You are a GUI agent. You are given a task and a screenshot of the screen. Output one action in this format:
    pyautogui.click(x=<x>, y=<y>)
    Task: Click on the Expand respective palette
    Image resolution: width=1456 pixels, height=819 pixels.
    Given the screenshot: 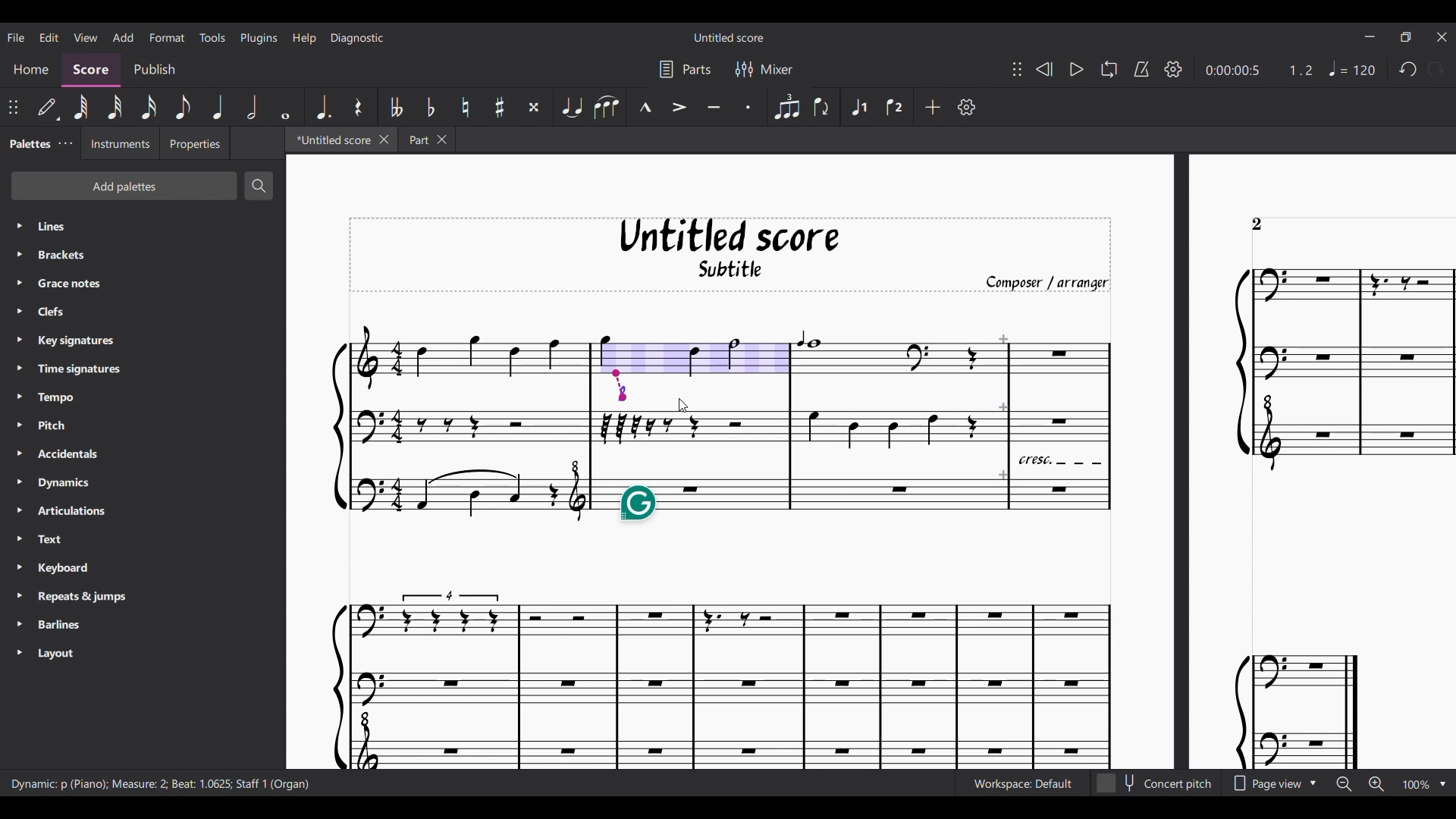 What is the action you would take?
    pyautogui.click(x=19, y=438)
    